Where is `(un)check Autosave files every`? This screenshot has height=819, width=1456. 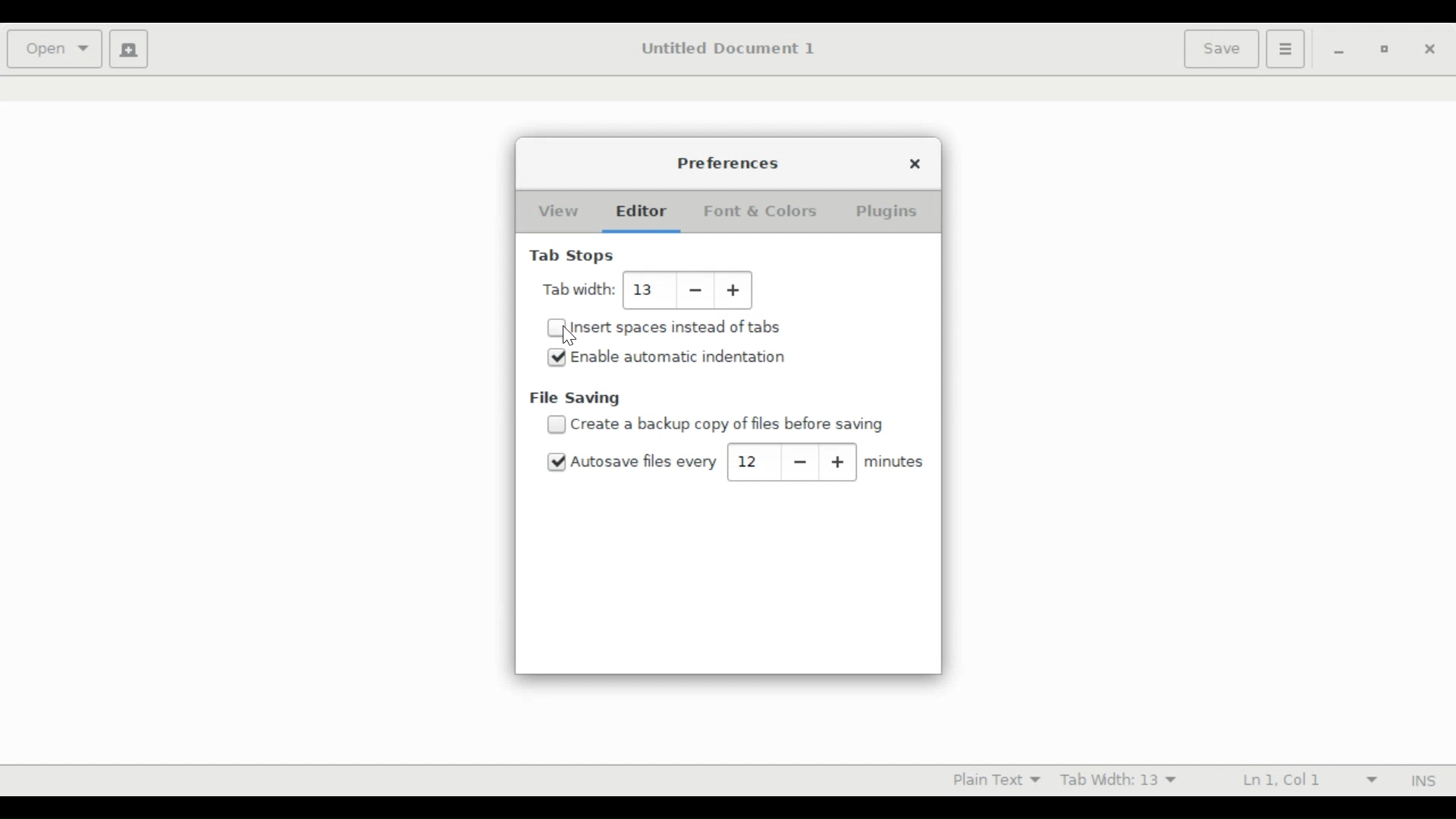
(un)check Autosave files every is located at coordinates (645, 462).